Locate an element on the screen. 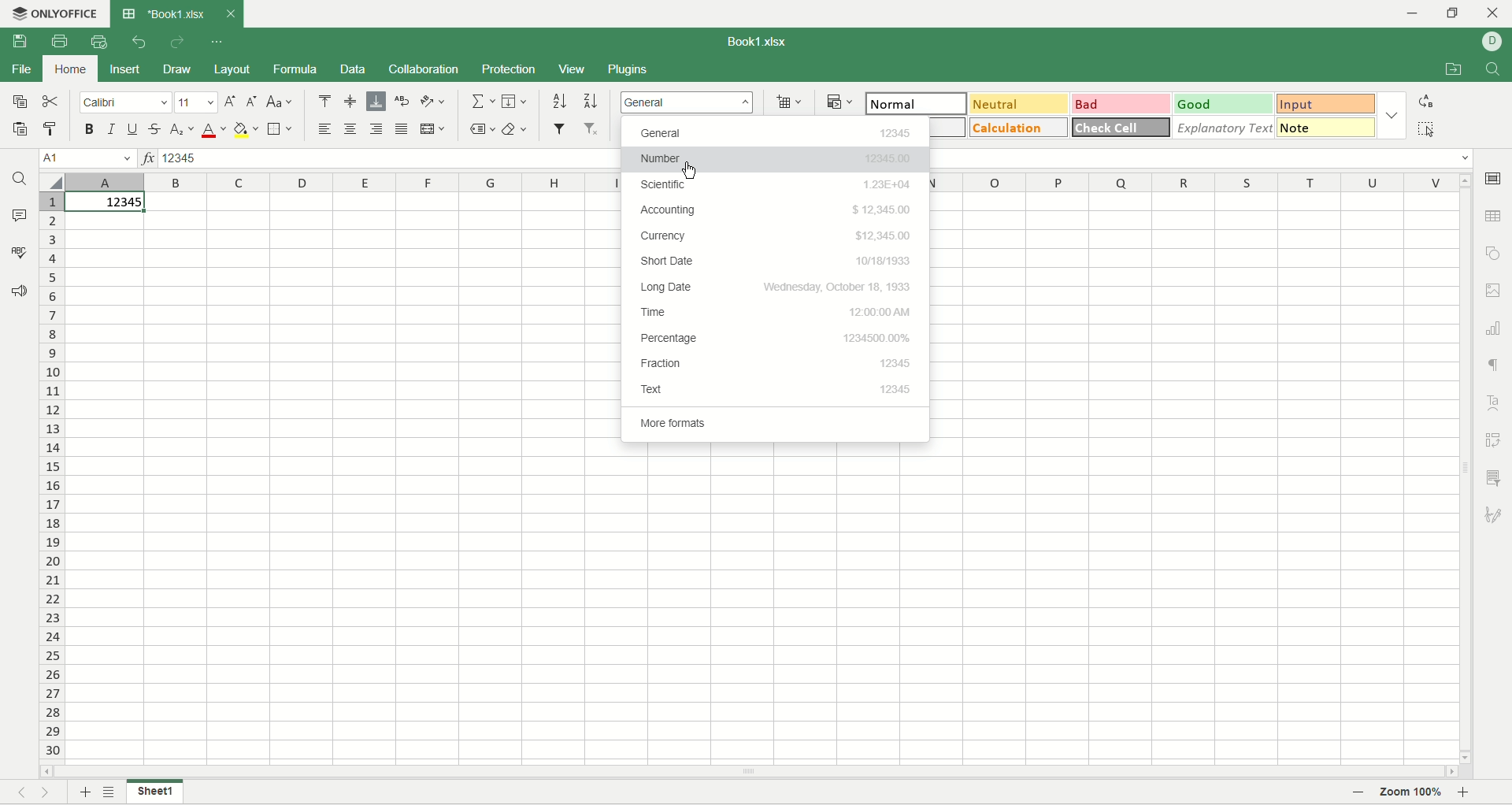 The width and height of the screenshot is (1512, 805). home is located at coordinates (69, 70).